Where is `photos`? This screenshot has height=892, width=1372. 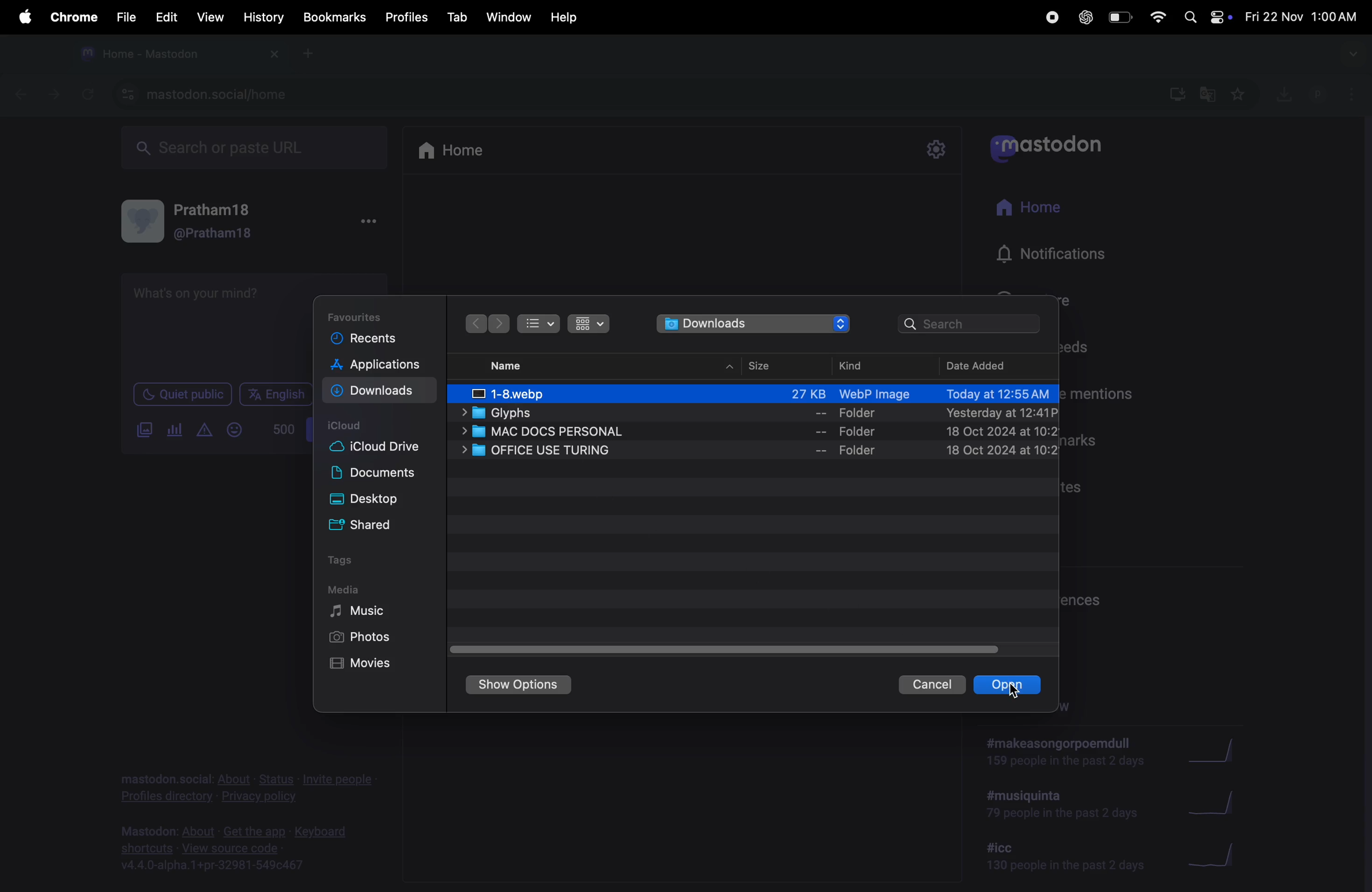 photos is located at coordinates (359, 639).